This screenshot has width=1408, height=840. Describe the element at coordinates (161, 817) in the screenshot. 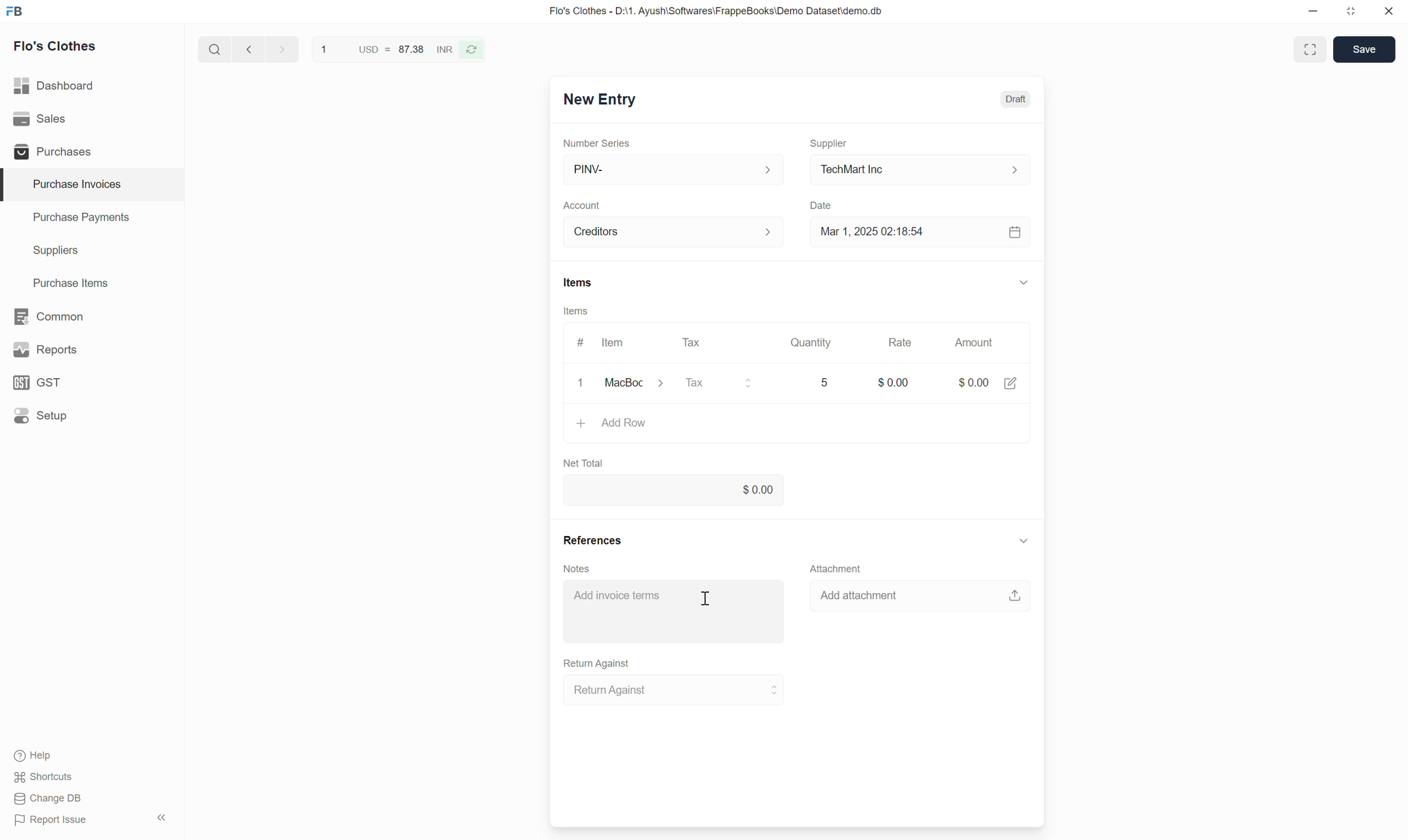

I see `Collapse` at that location.